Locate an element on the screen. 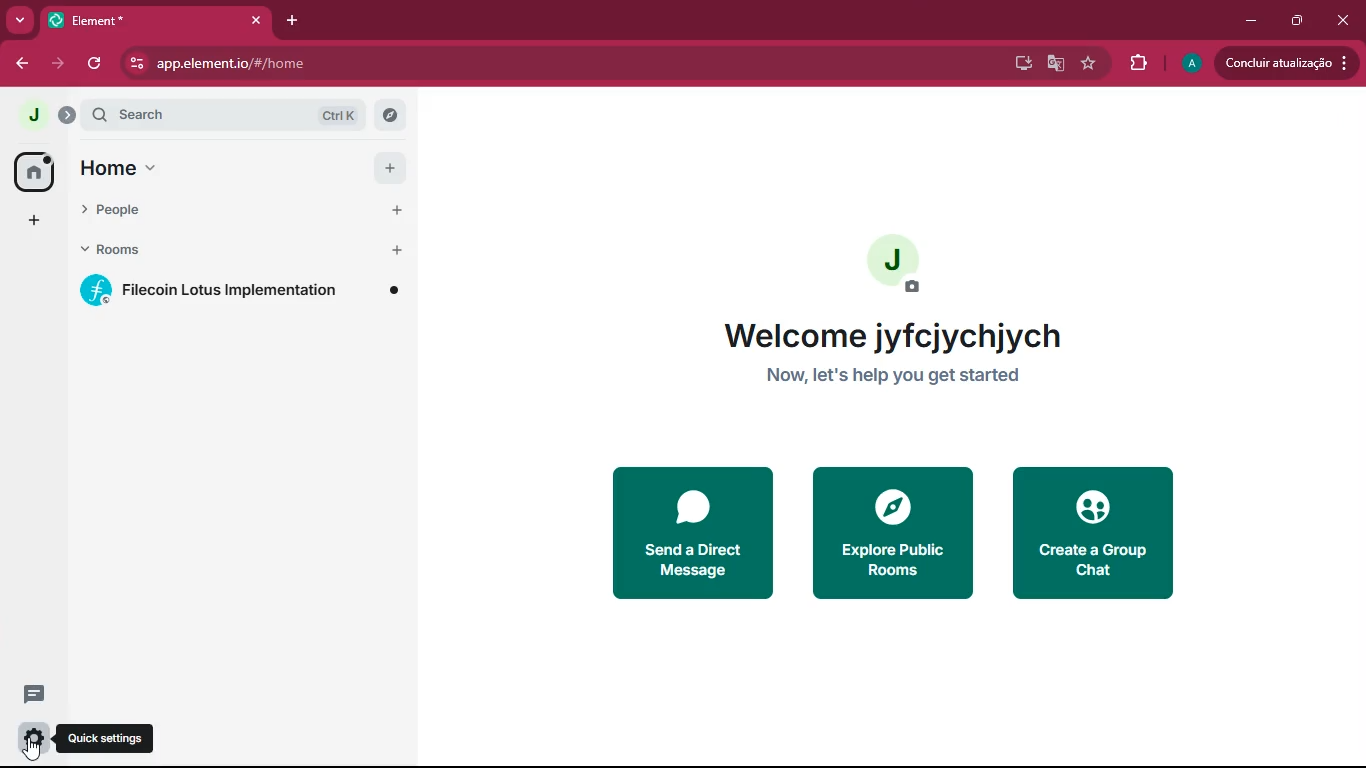 The width and height of the screenshot is (1366, 768). comments is located at coordinates (35, 686).